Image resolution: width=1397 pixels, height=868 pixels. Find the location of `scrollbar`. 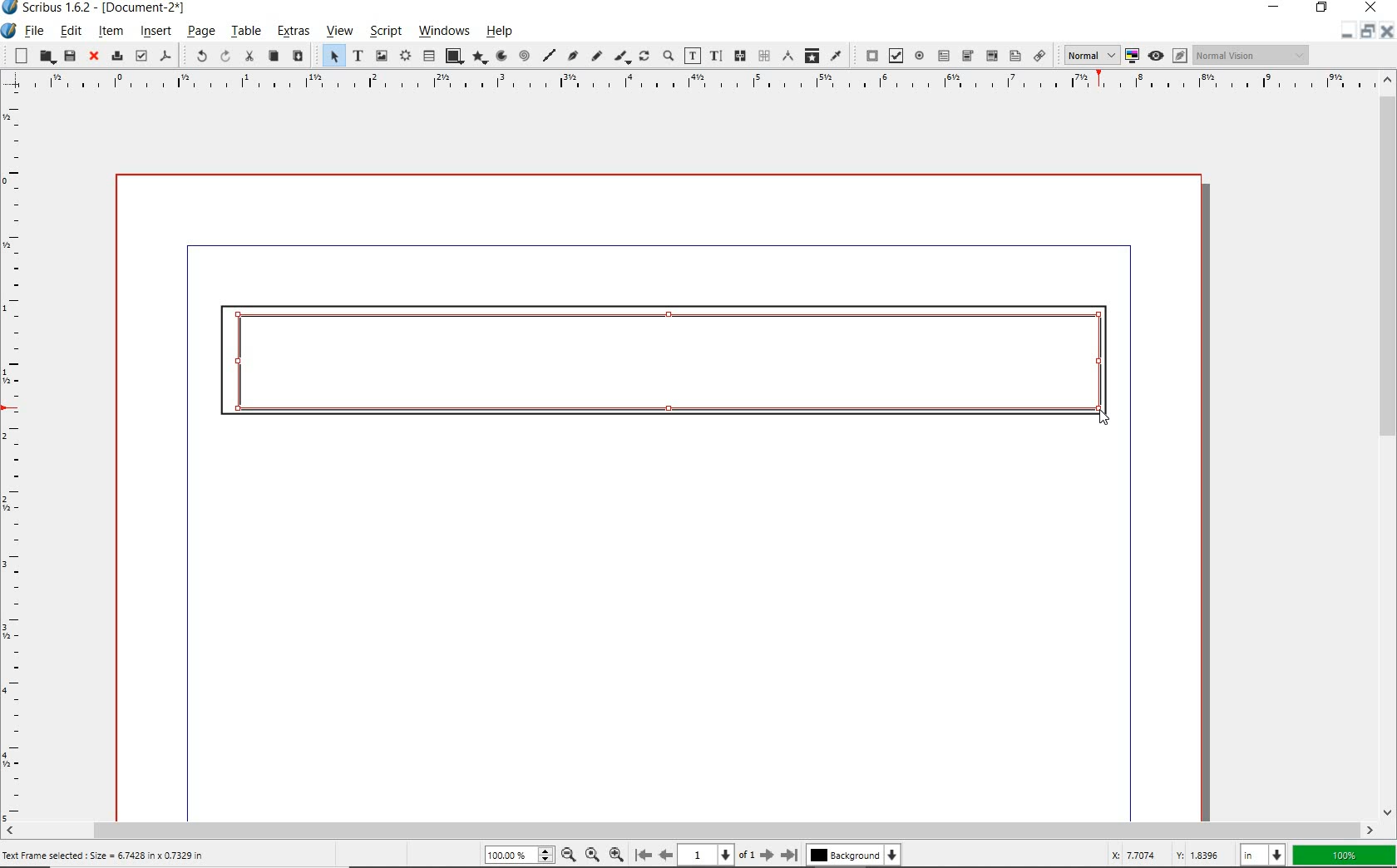

scrollbar is located at coordinates (690, 829).